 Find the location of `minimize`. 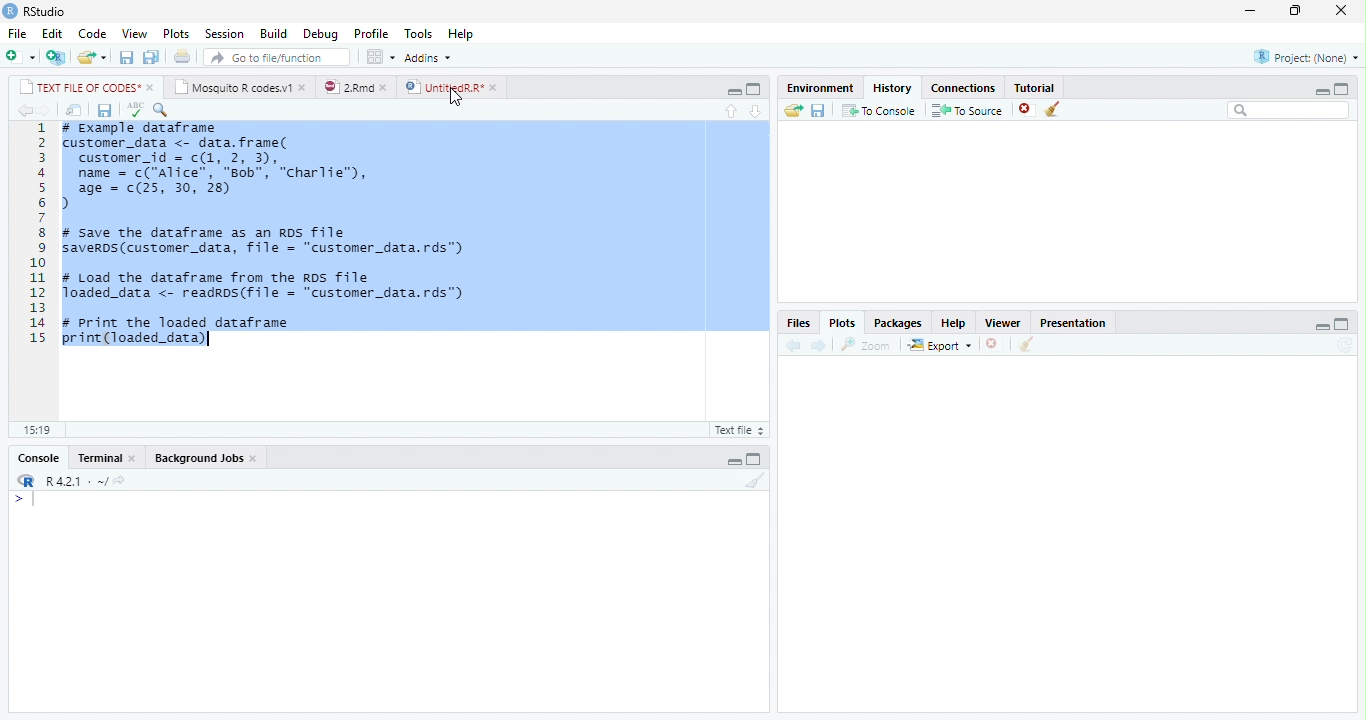

minimize is located at coordinates (1250, 10).